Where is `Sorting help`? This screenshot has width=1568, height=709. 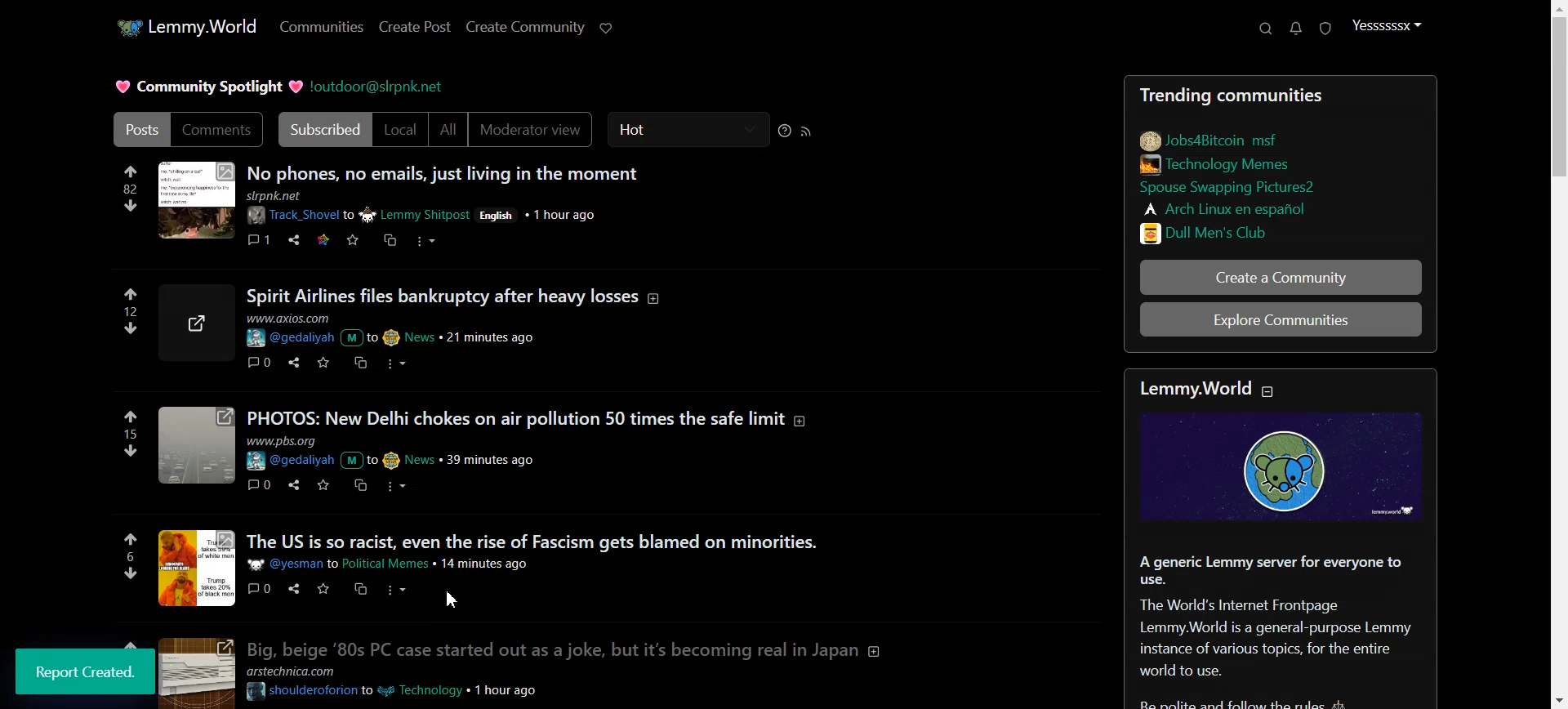 Sorting help is located at coordinates (785, 131).